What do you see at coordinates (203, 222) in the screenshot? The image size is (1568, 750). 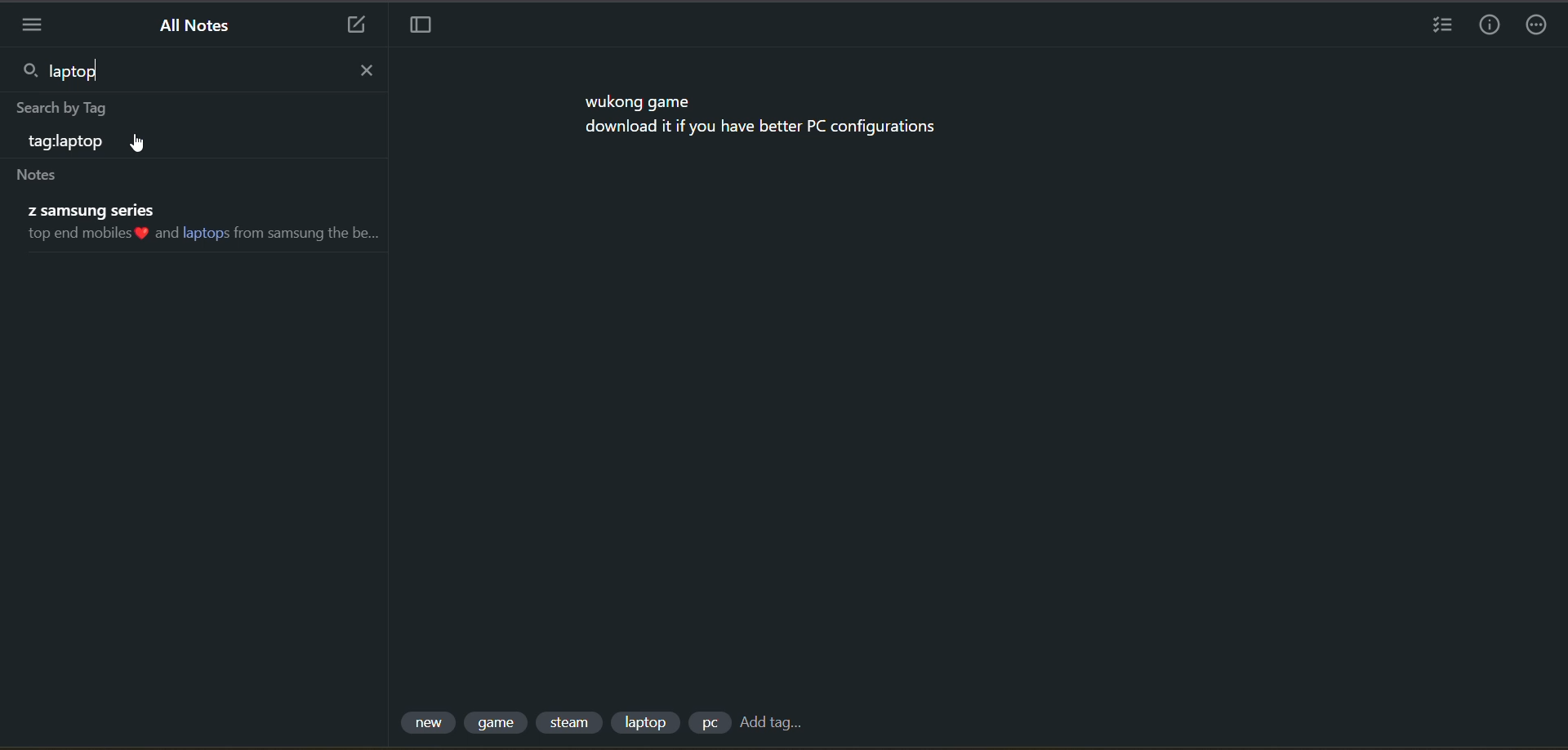 I see `matching text from notes` at bounding box center [203, 222].